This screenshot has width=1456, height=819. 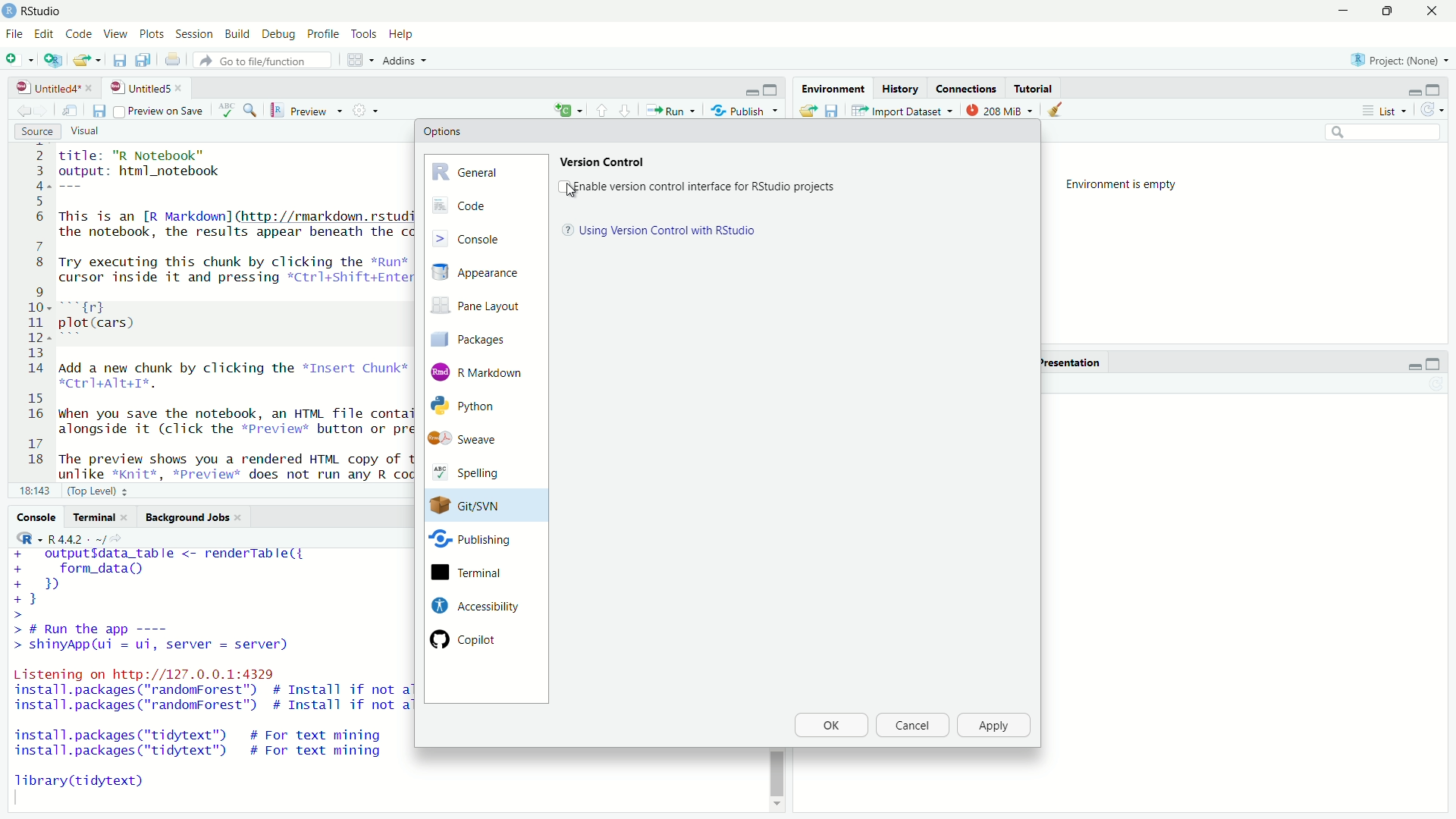 What do you see at coordinates (995, 726) in the screenshot?
I see `Apply` at bounding box center [995, 726].